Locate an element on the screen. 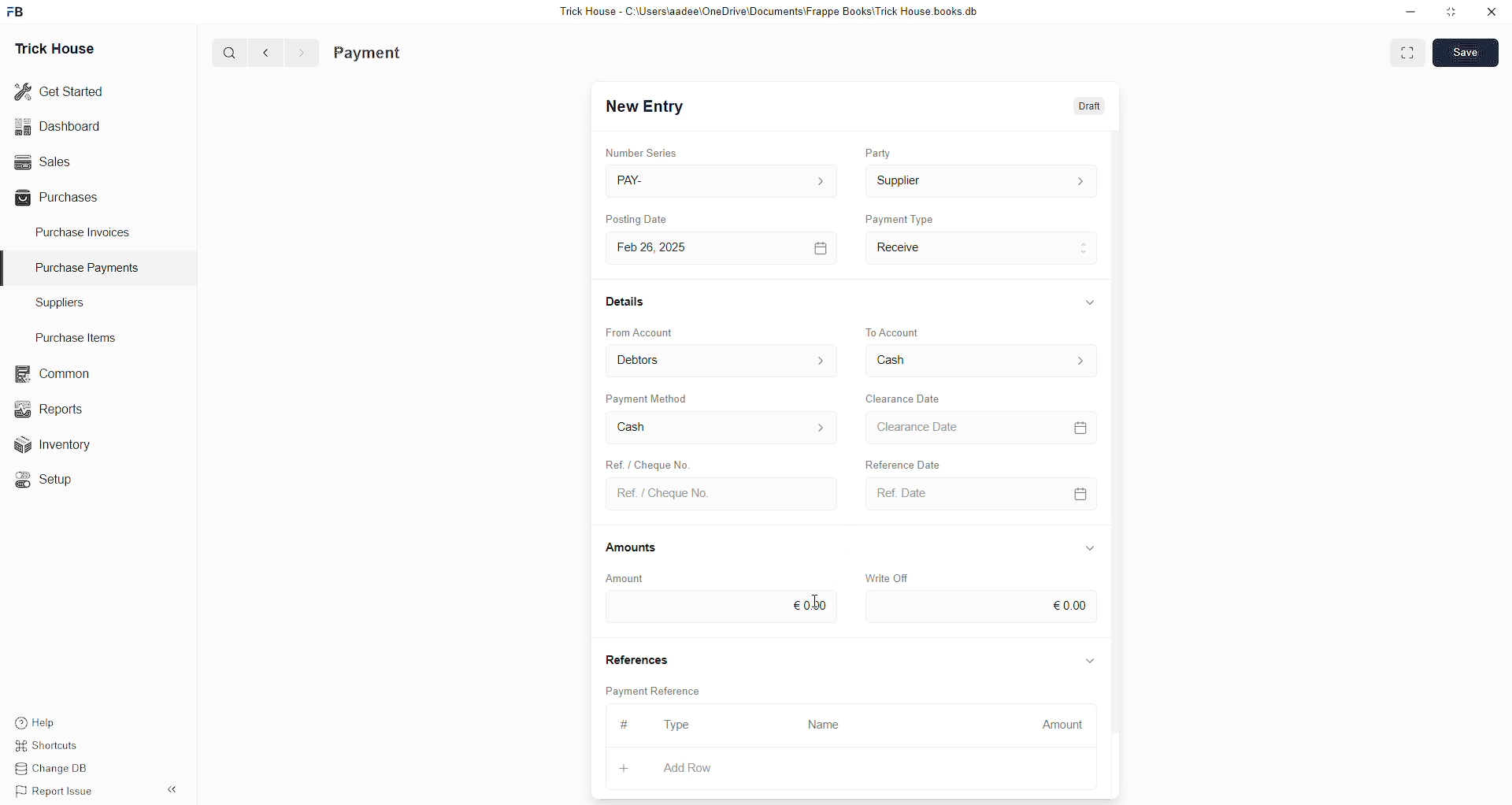  # is located at coordinates (628, 724).